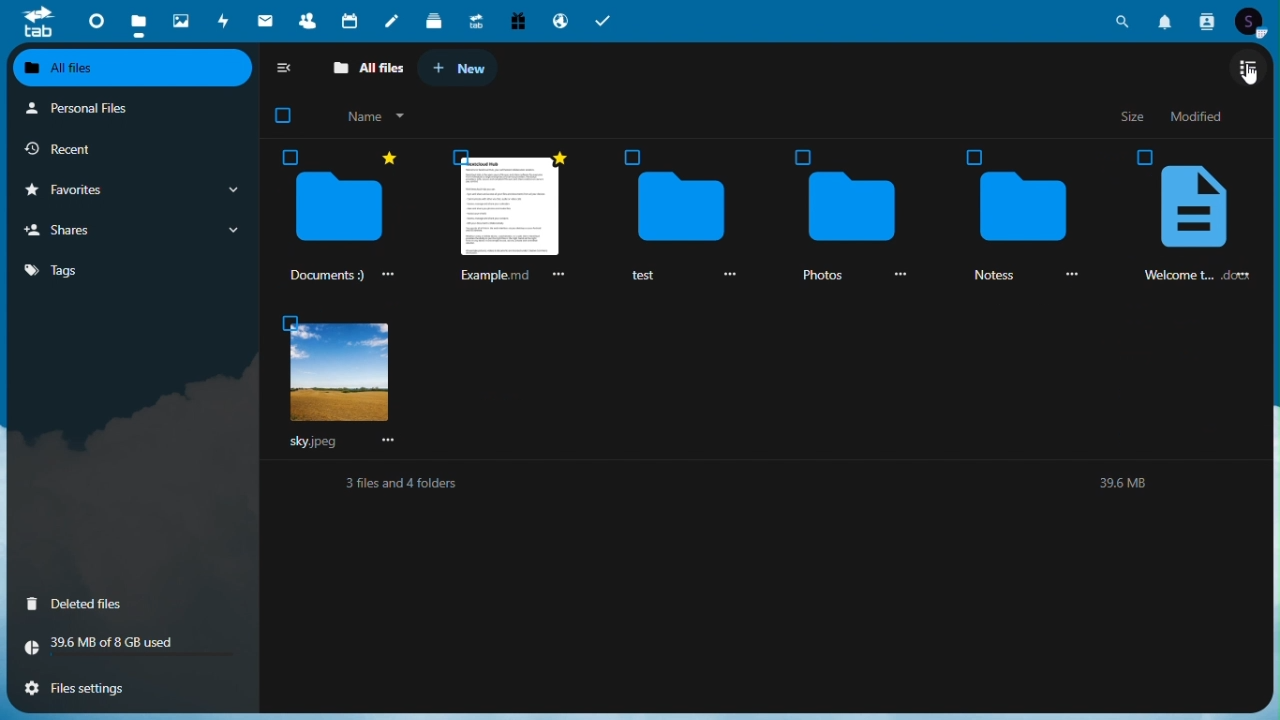  I want to click on more options, so click(726, 274).